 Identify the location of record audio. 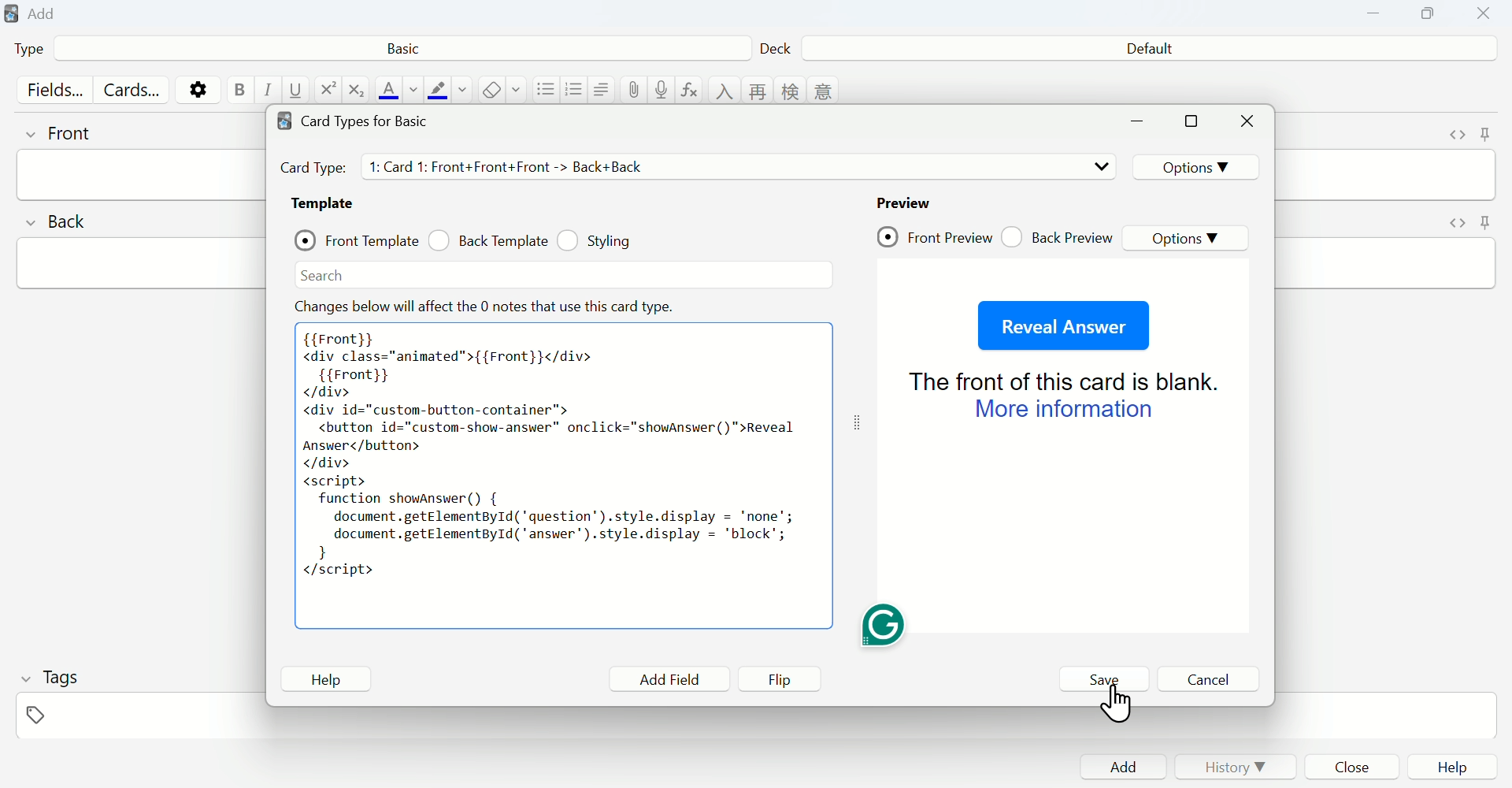
(661, 90).